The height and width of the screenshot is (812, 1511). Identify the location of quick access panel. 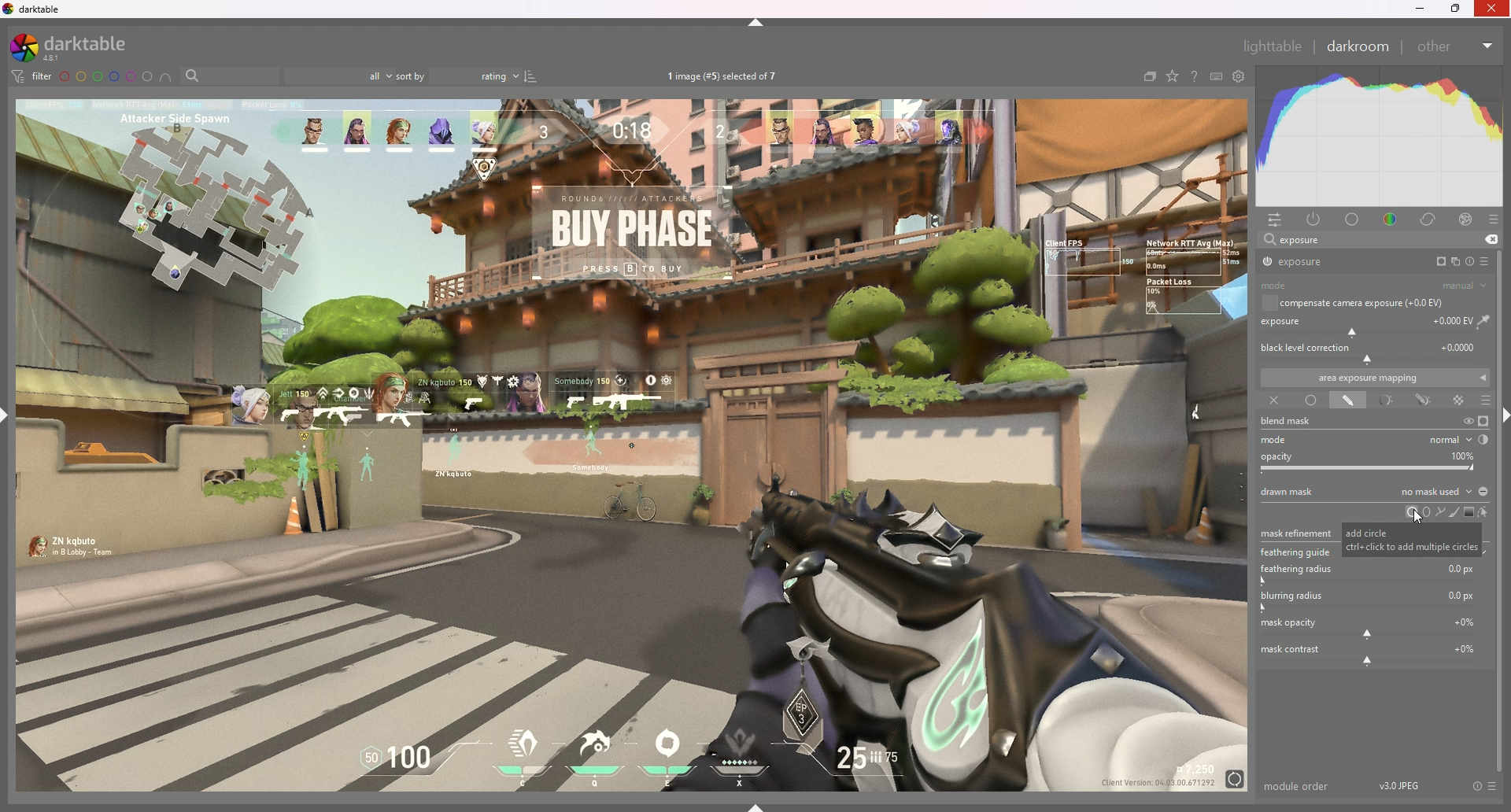
(1278, 220).